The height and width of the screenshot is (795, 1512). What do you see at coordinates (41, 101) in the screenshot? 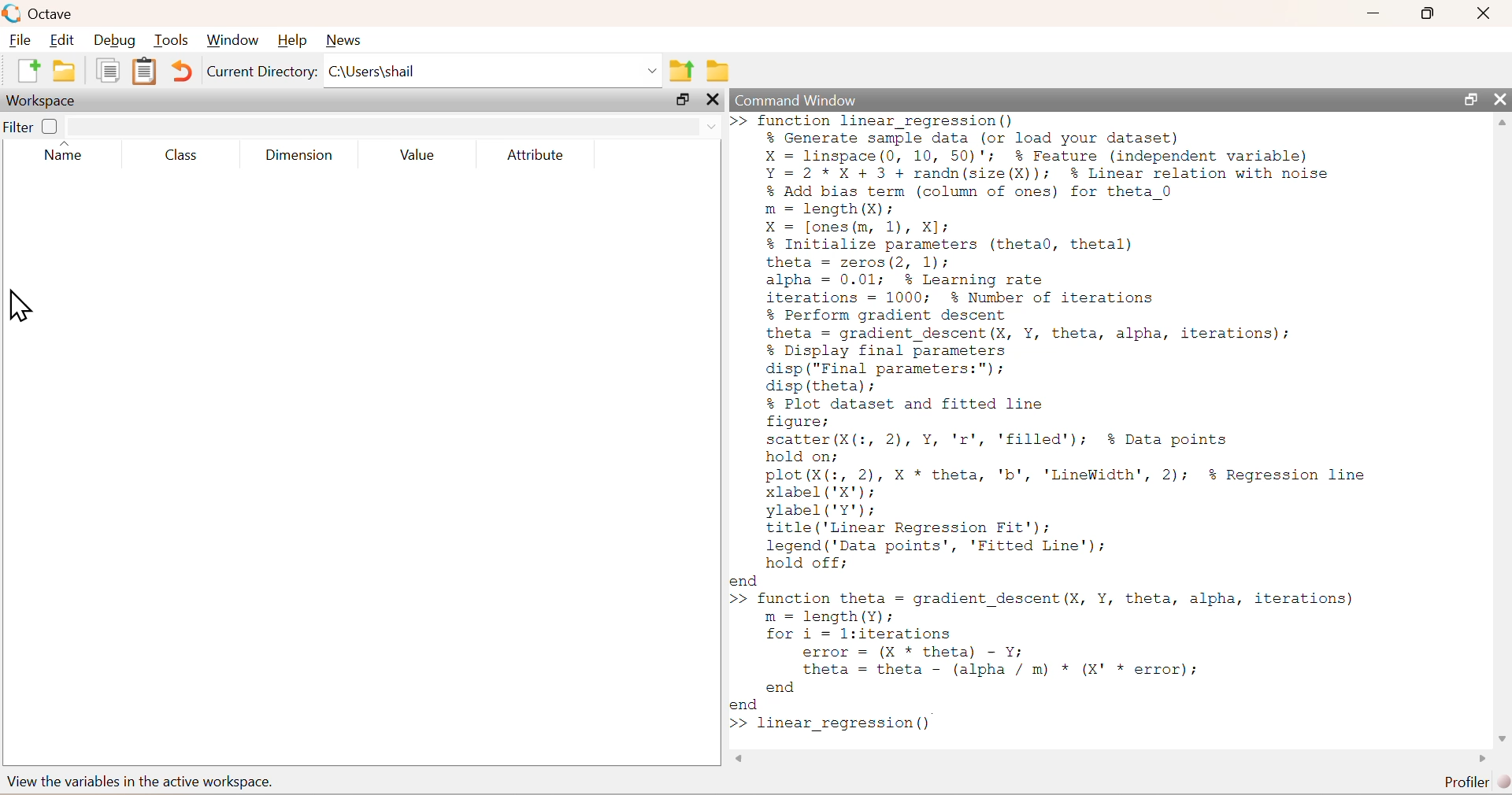
I see `Workspace` at bounding box center [41, 101].